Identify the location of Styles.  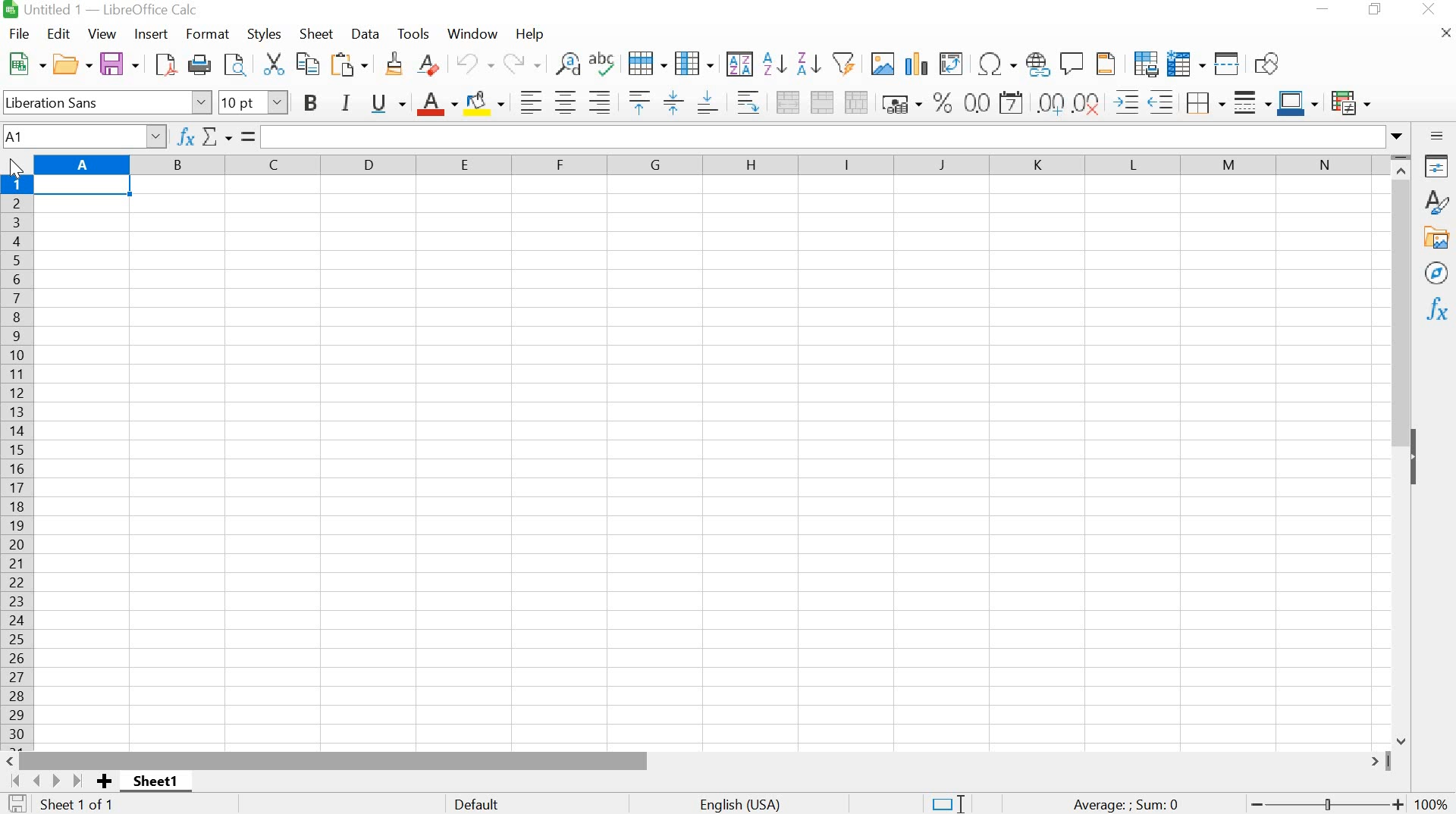
(1436, 203).